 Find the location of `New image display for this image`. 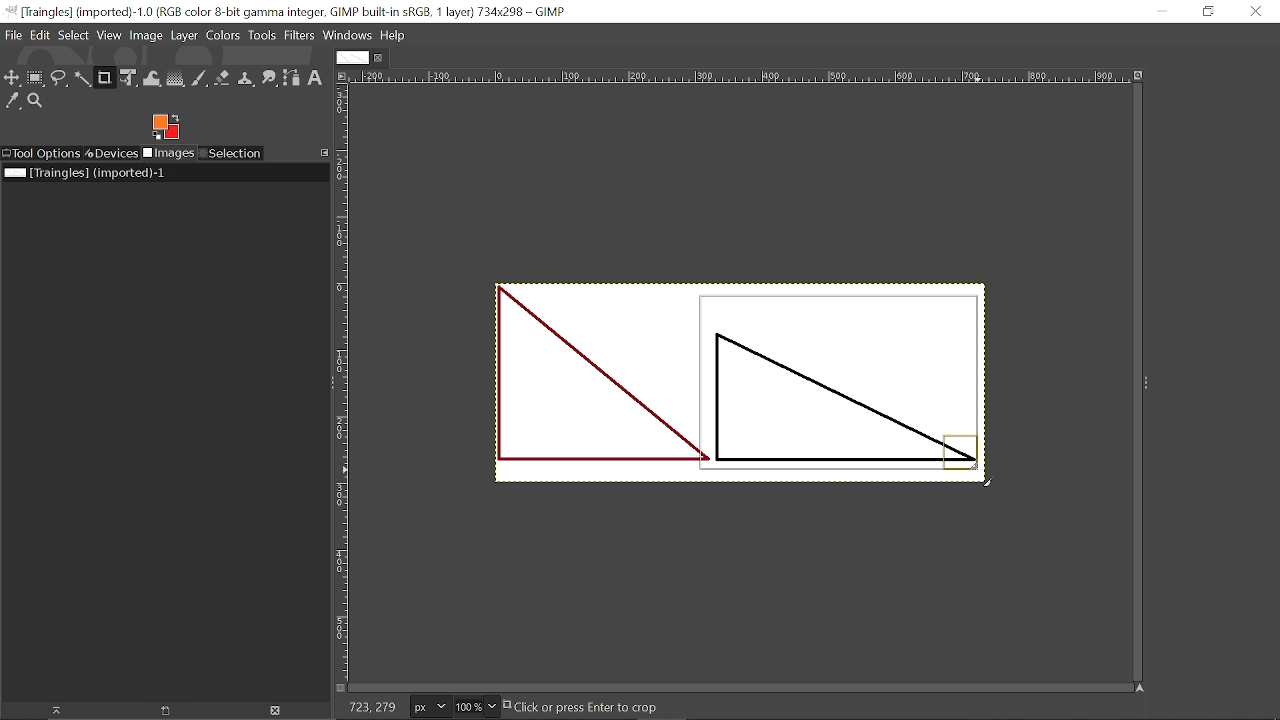

New image display for this image is located at coordinates (166, 711).